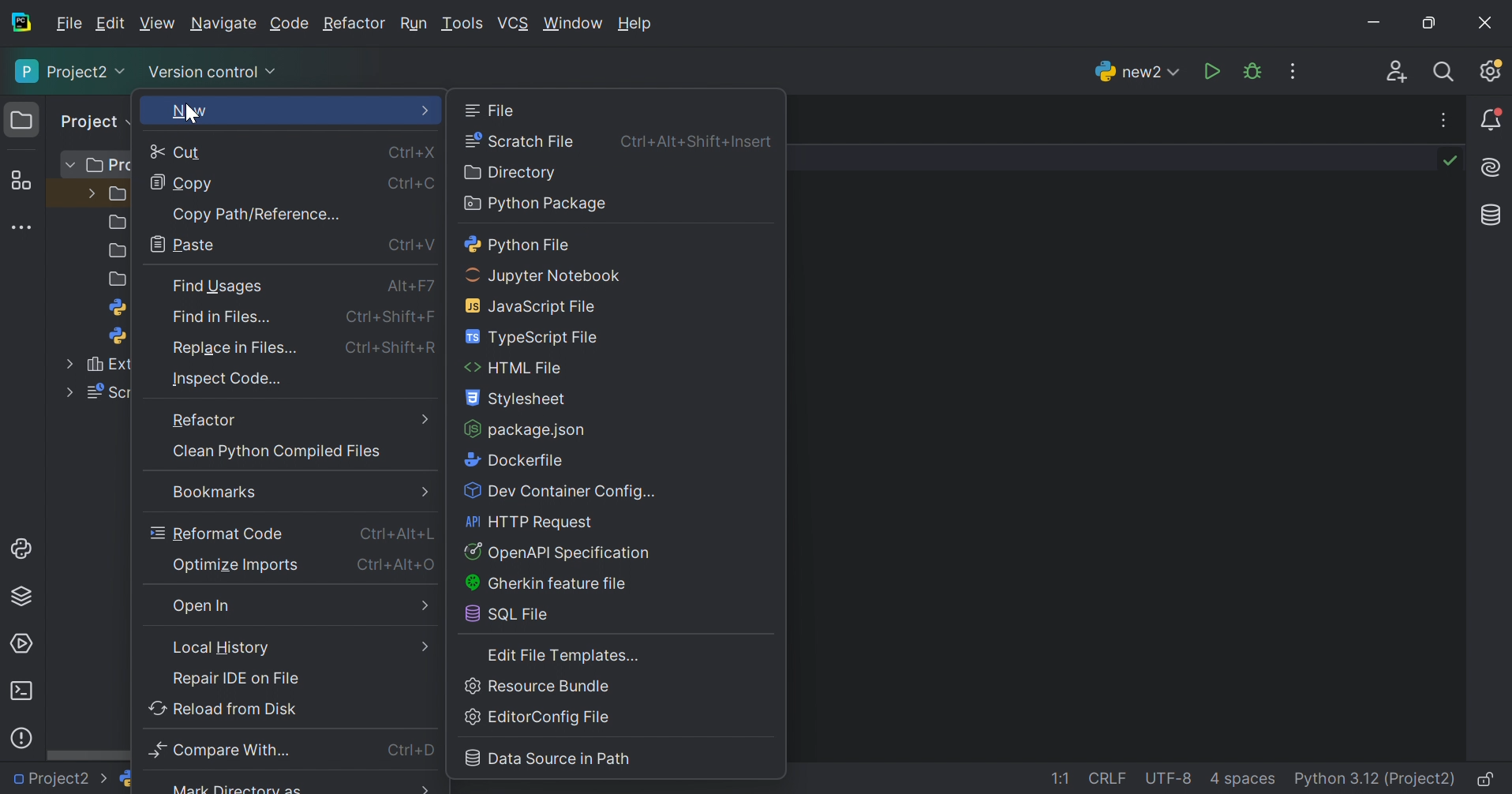 This screenshot has height=794, width=1512. What do you see at coordinates (520, 140) in the screenshot?
I see `Scratch file` at bounding box center [520, 140].